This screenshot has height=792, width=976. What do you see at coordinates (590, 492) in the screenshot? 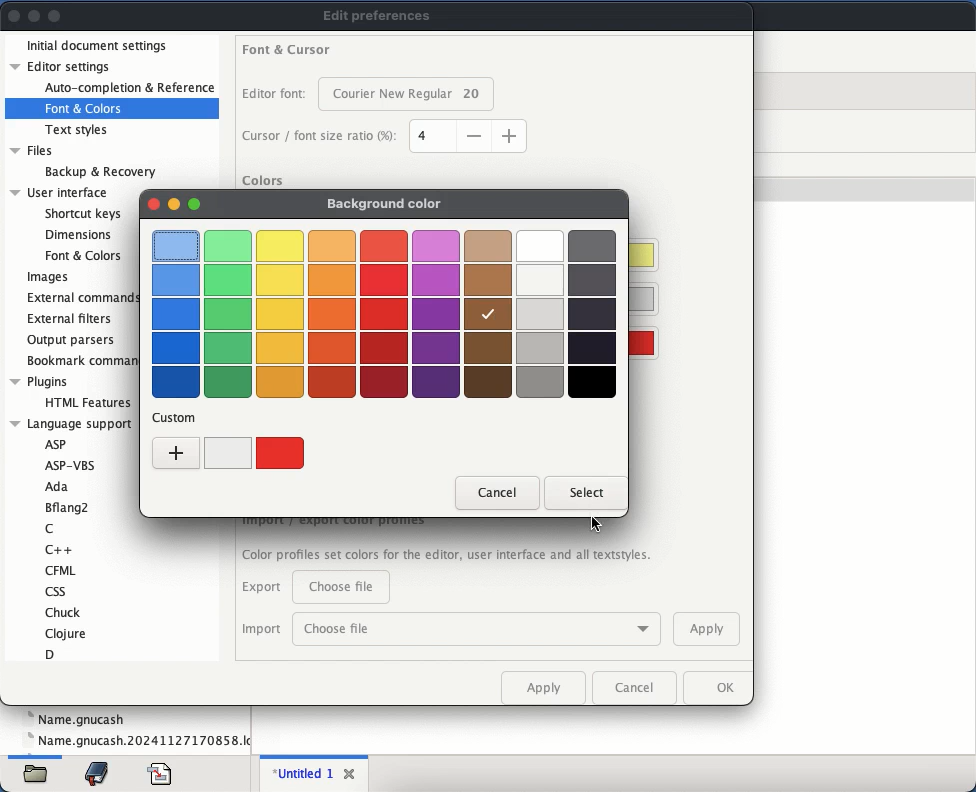
I see `select` at bounding box center [590, 492].